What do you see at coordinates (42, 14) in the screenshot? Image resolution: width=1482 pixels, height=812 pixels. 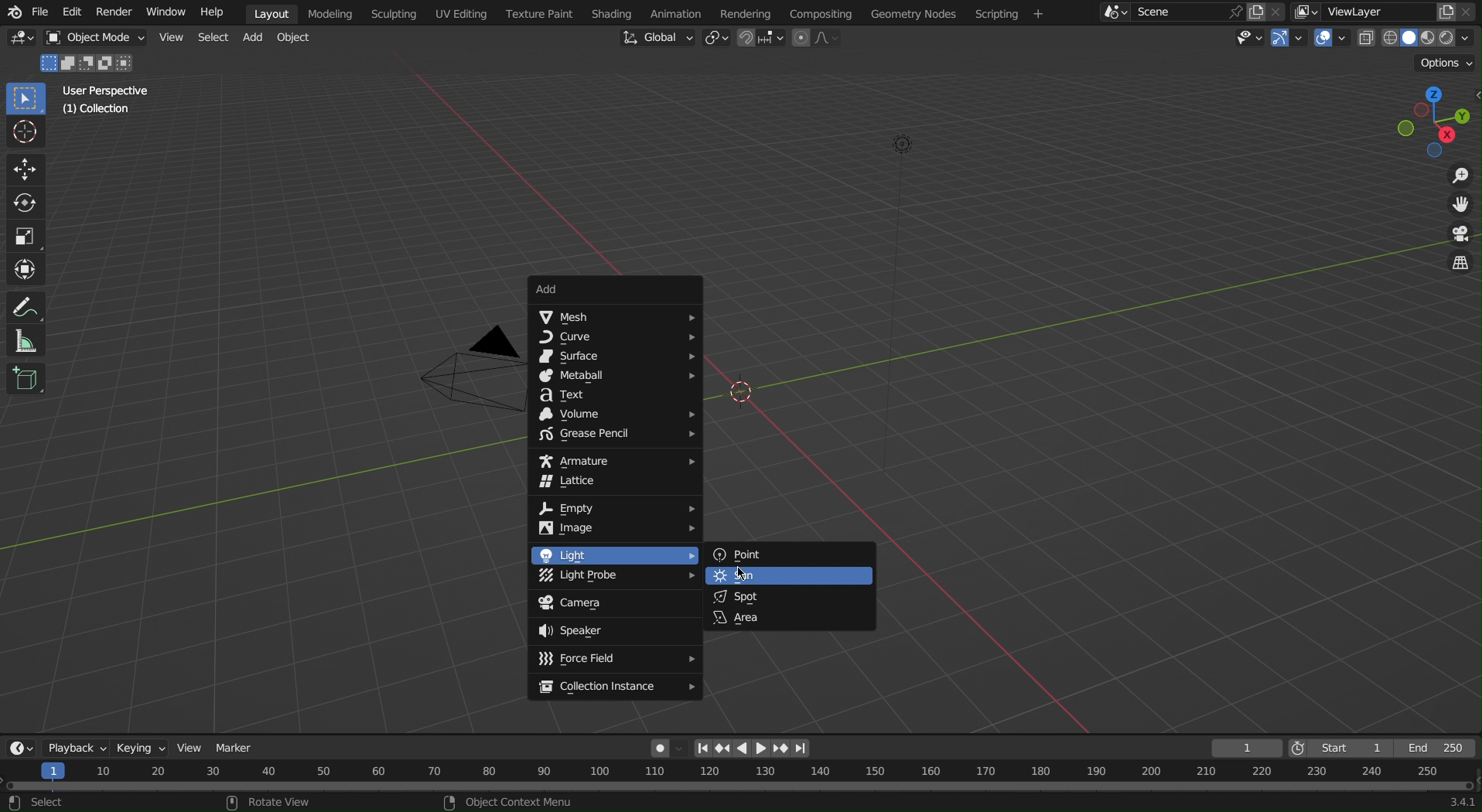 I see `File` at bounding box center [42, 14].